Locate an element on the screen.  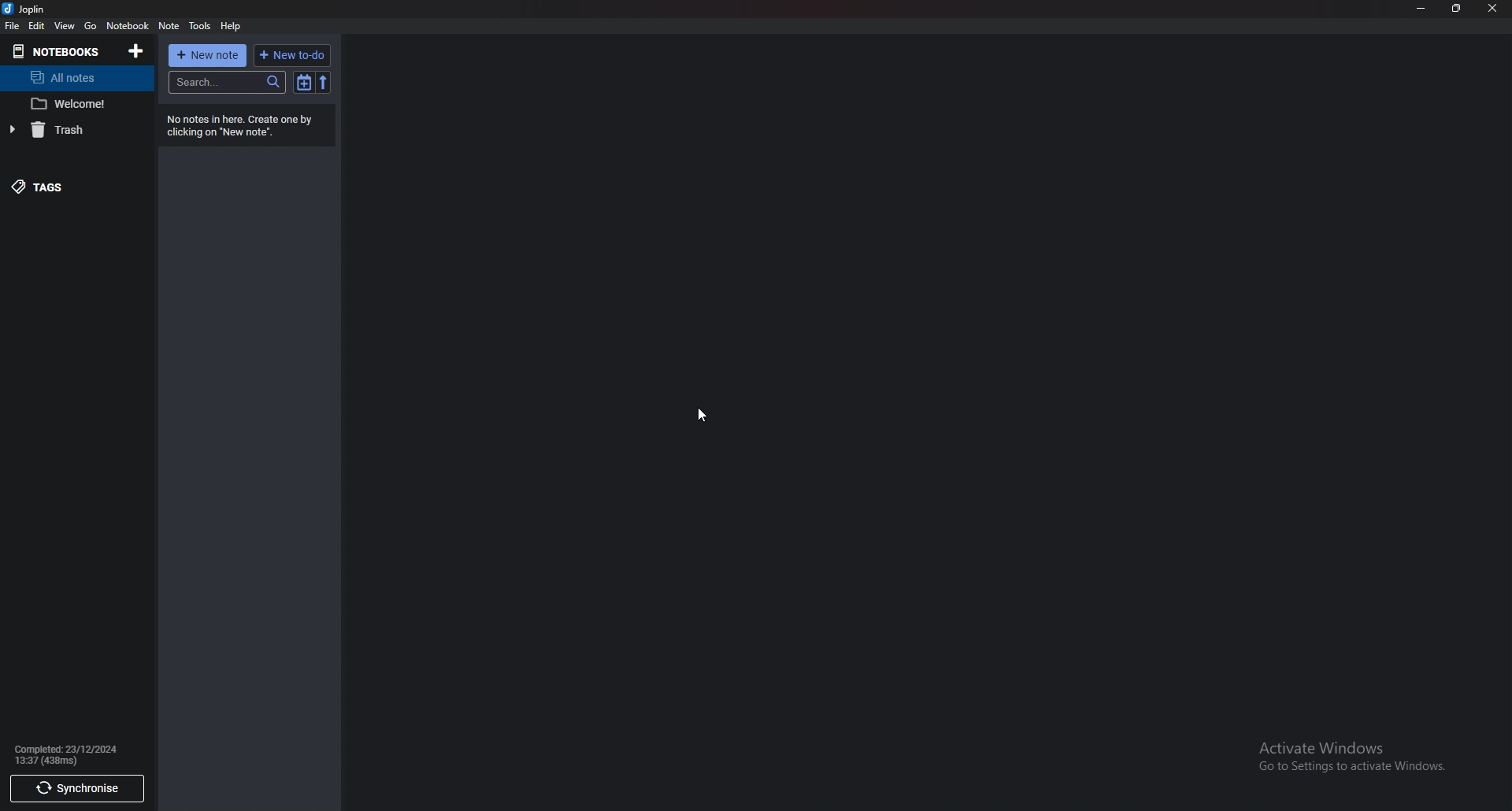
Activate Windows
Go to Settings to activate Windows. is located at coordinates (1358, 759).